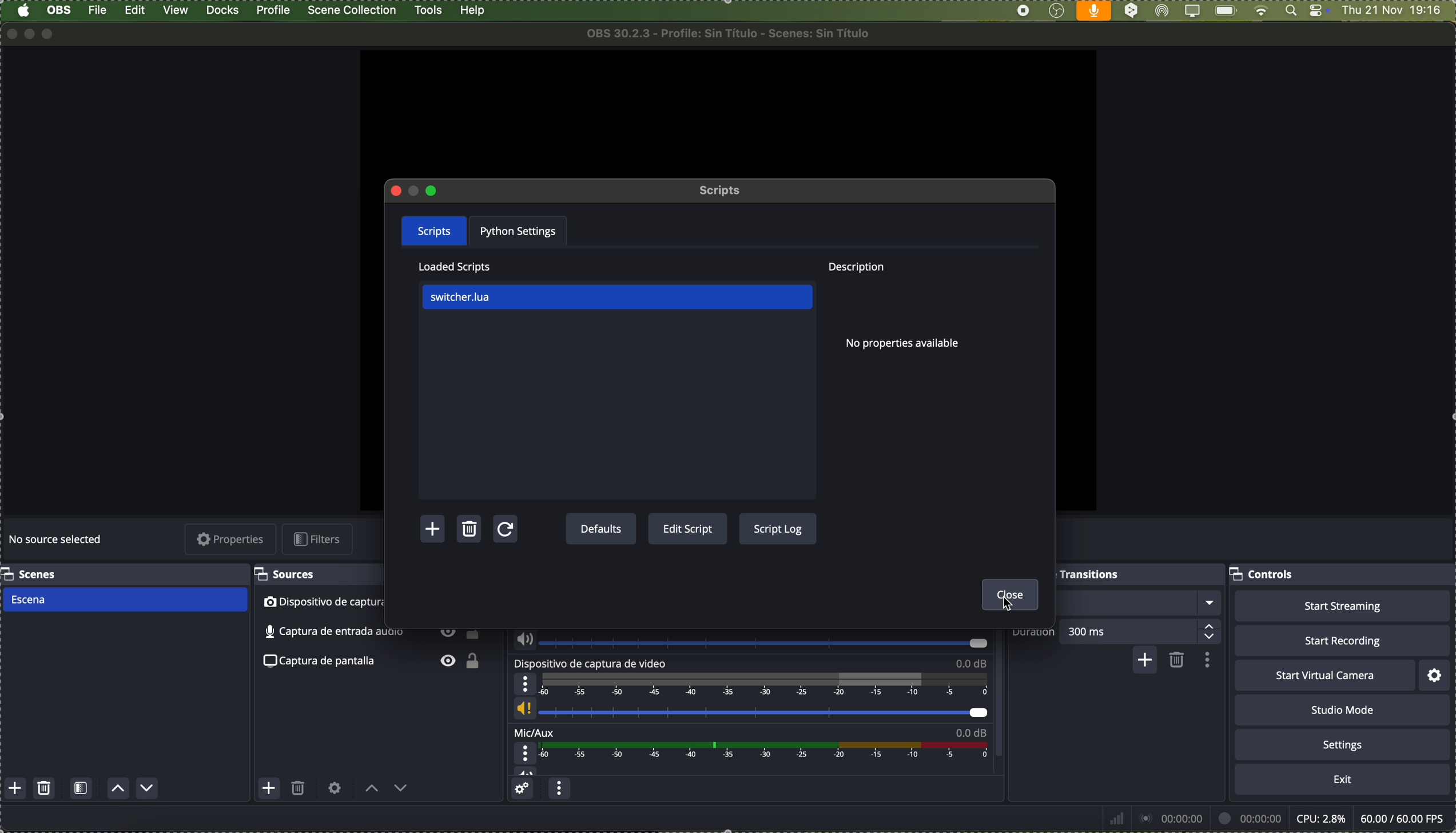 The width and height of the screenshot is (1456, 833). I want to click on advanced audio properties, so click(524, 790).